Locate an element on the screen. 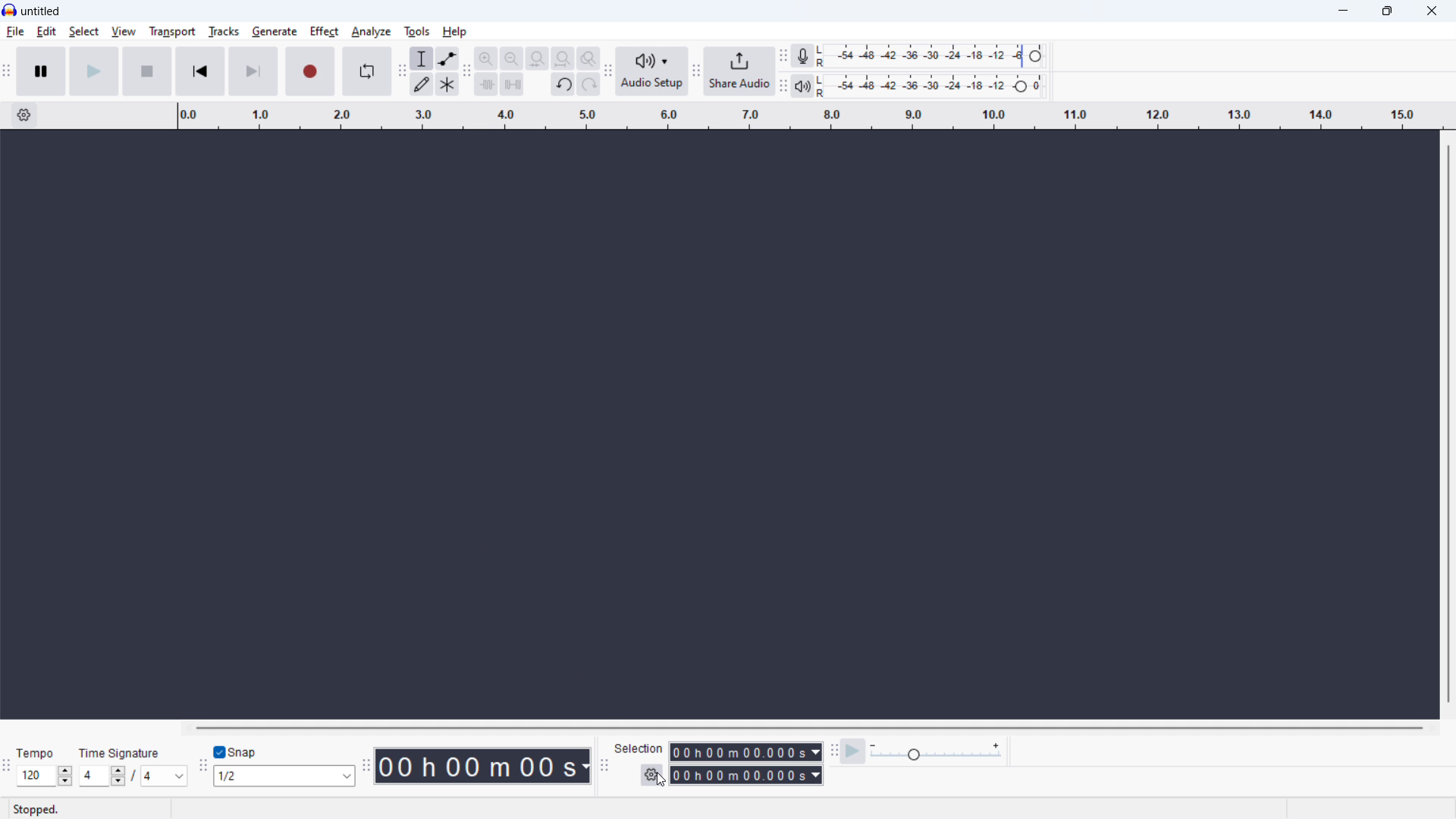  select is located at coordinates (84, 32).